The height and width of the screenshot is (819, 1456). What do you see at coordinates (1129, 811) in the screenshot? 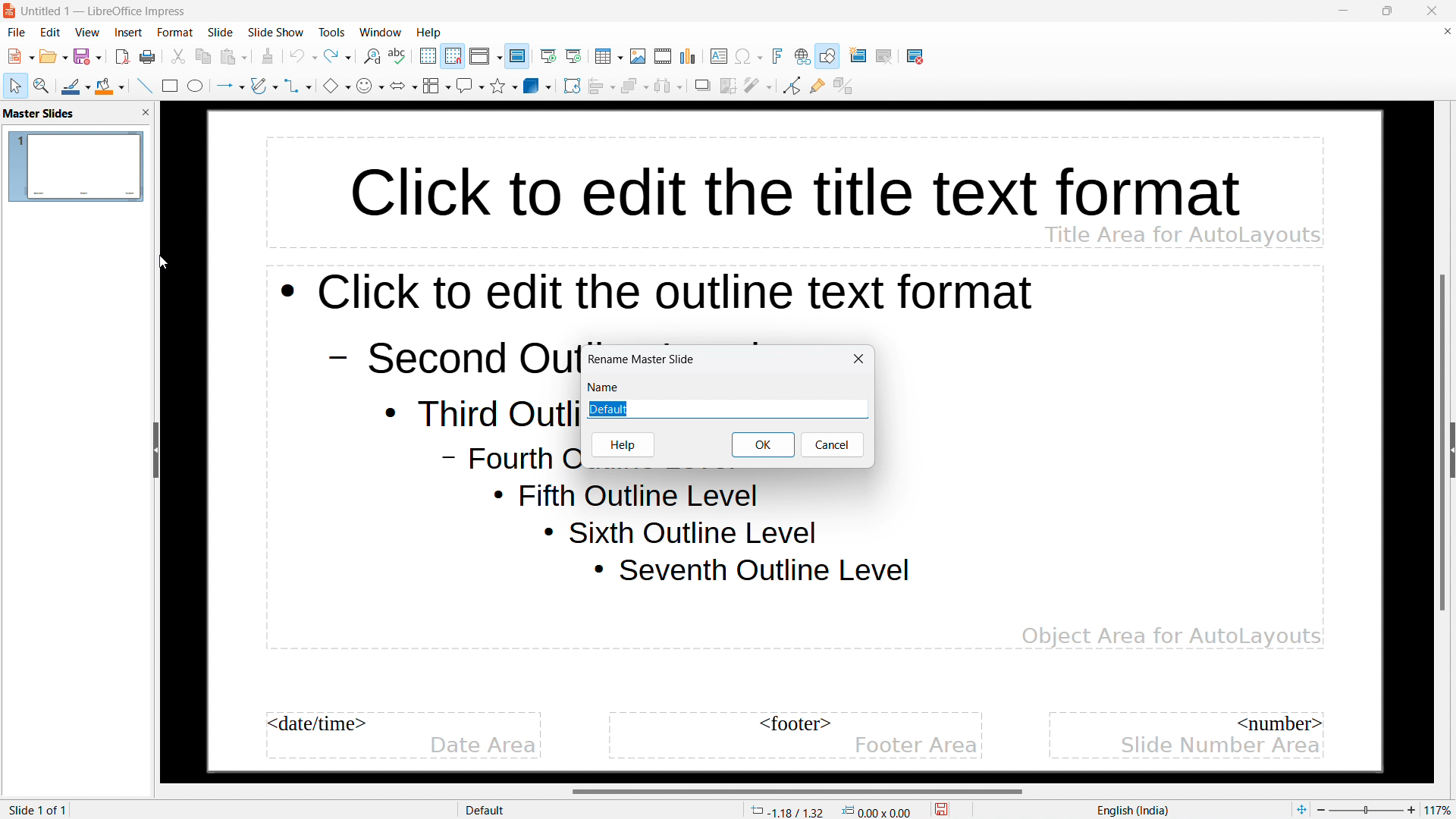
I see `English(India)` at bounding box center [1129, 811].